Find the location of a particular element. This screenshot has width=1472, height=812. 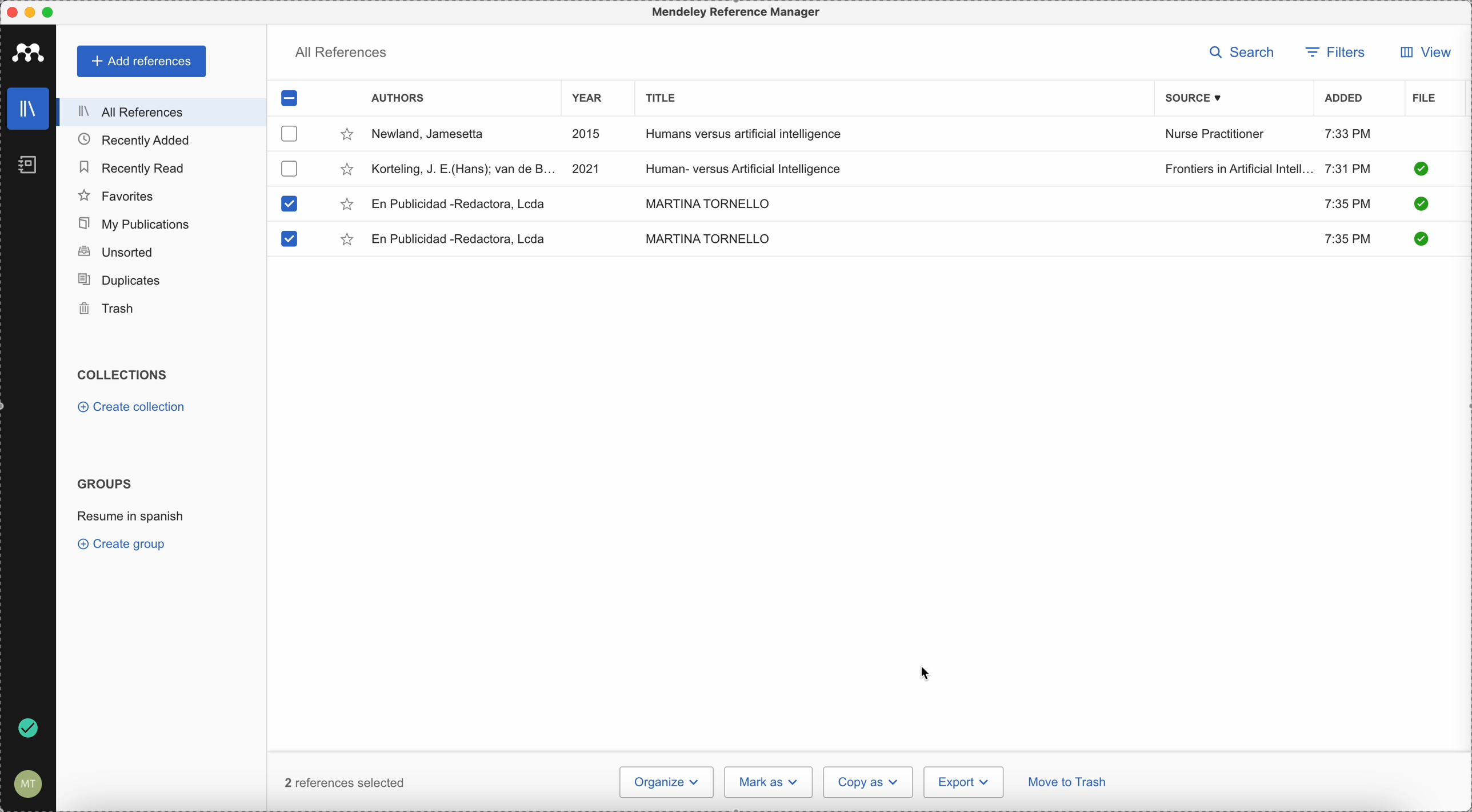

organize is located at coordinates (665, 782).